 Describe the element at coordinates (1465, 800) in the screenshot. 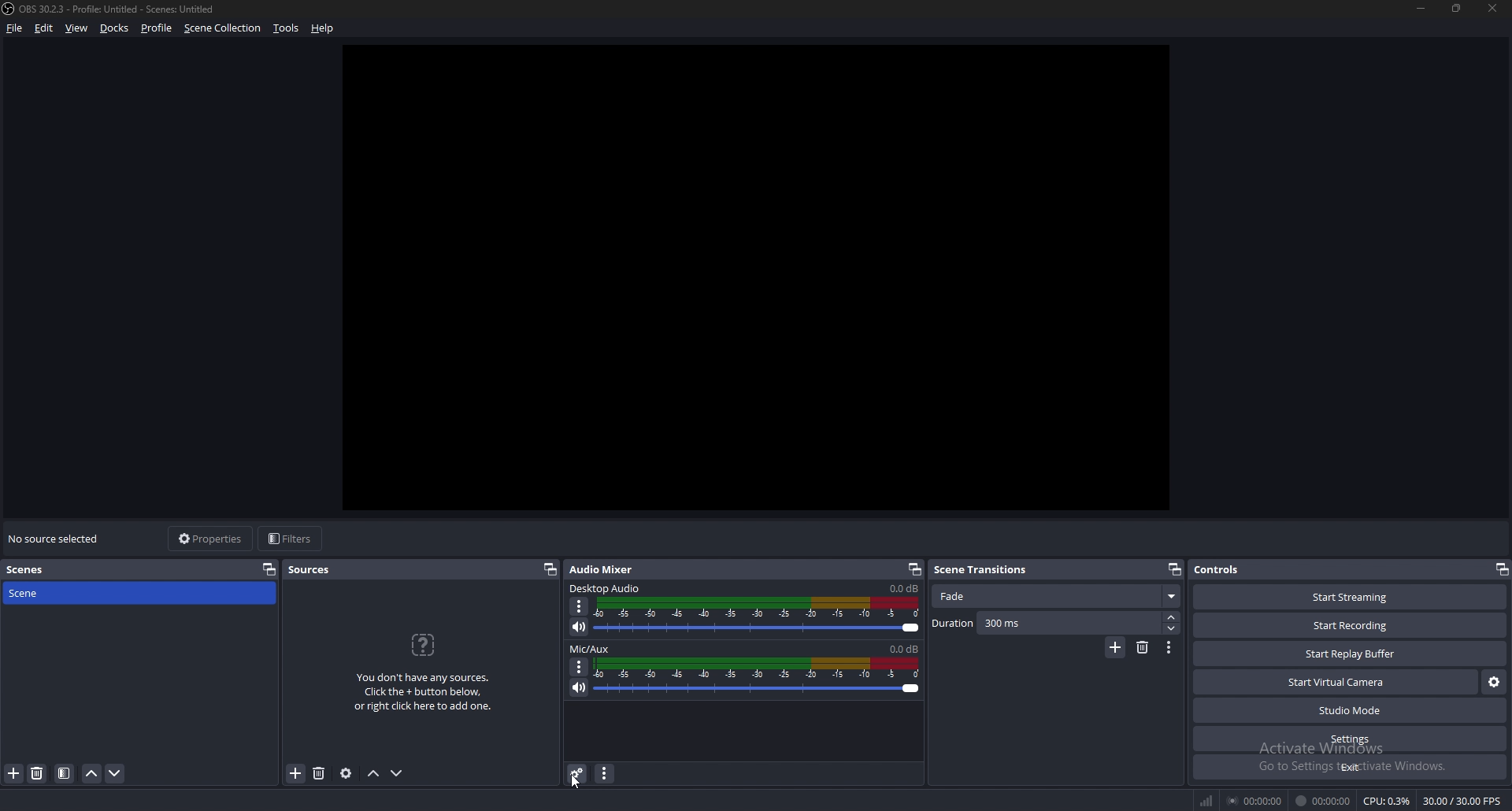

I see `30.00/ 30.00 FPS` at that location.